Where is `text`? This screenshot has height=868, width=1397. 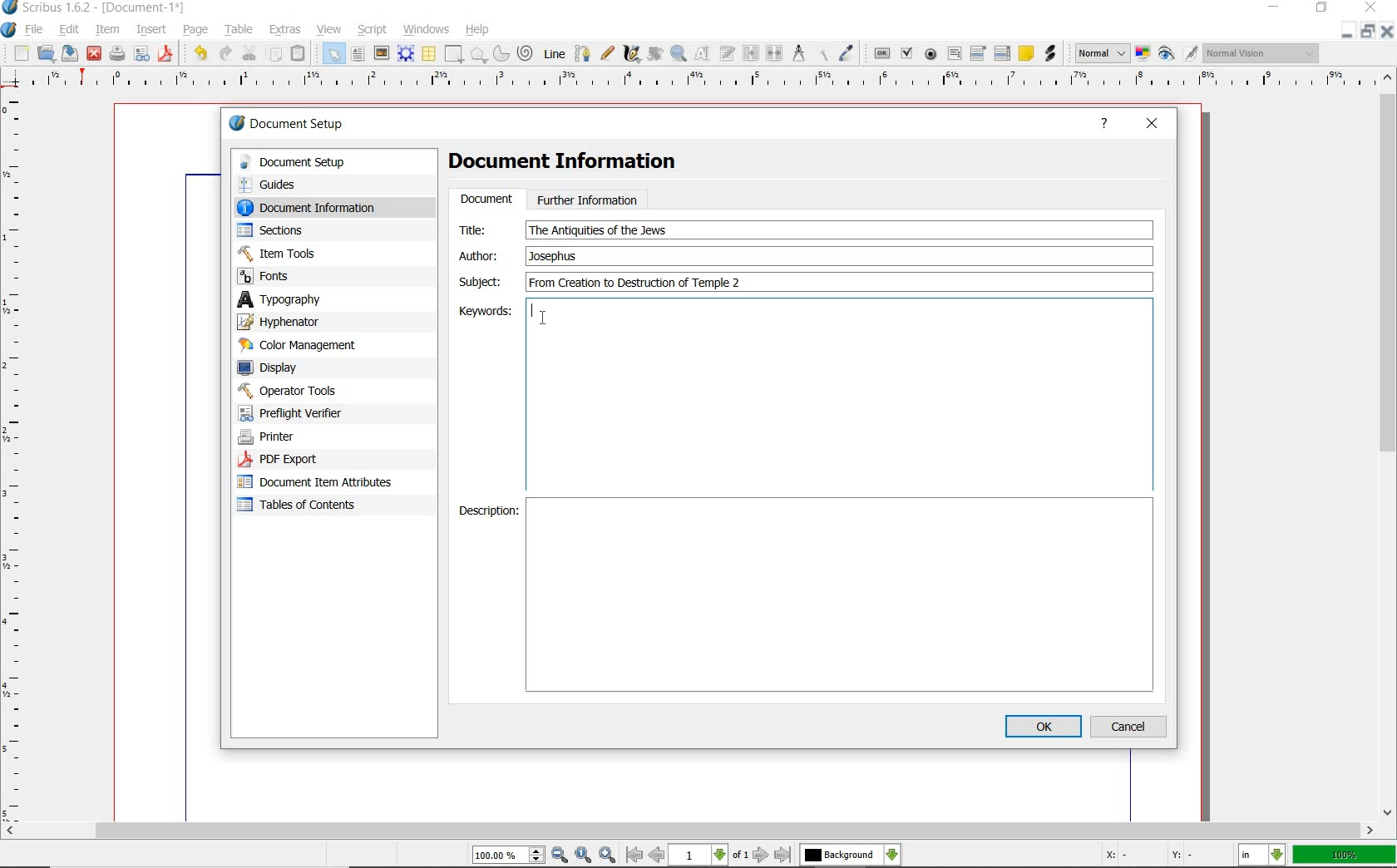 text is located at coordinates (598, 230).